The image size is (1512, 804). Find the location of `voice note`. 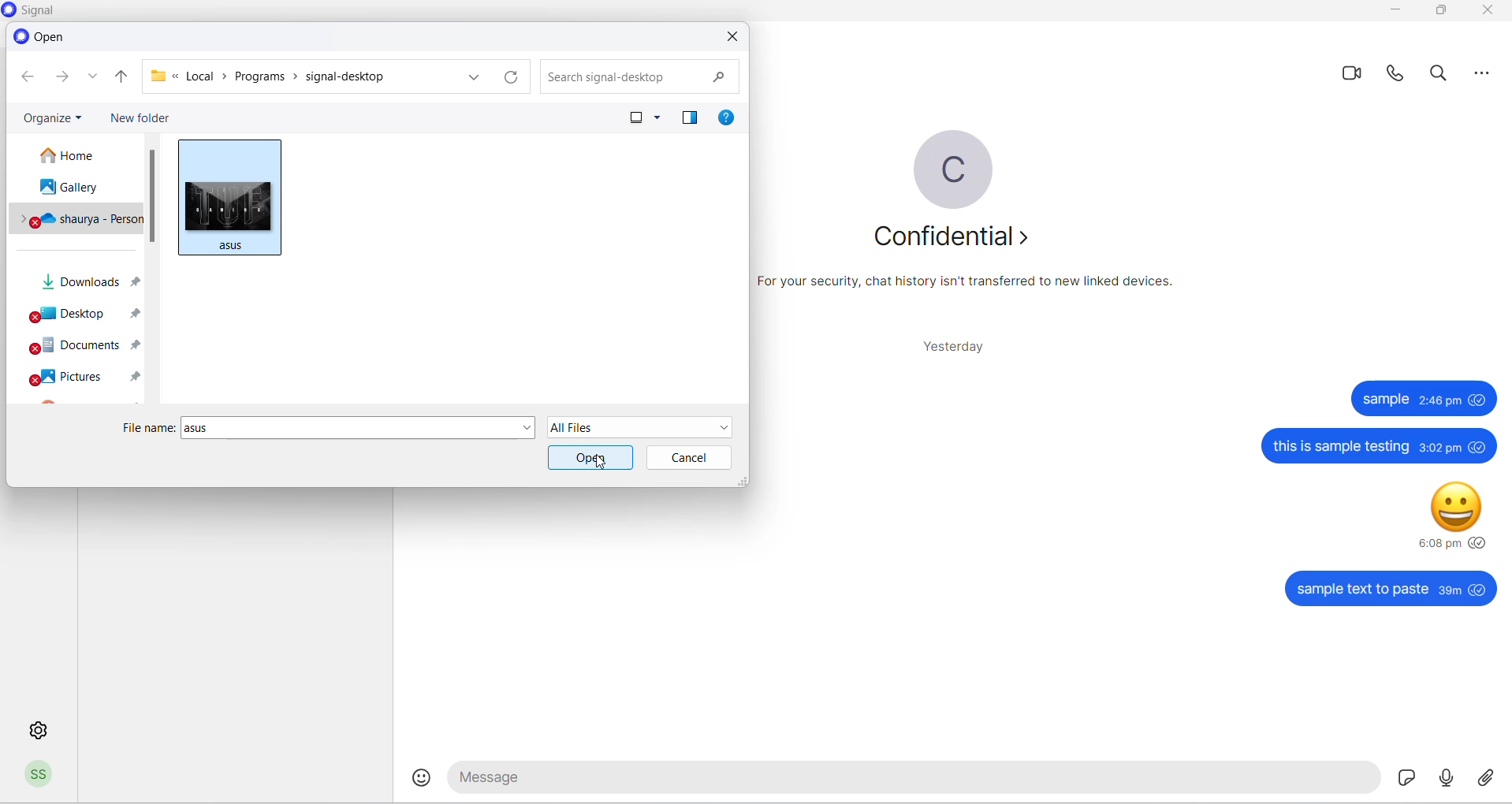

voice note is located at coordinates (1443, 777).